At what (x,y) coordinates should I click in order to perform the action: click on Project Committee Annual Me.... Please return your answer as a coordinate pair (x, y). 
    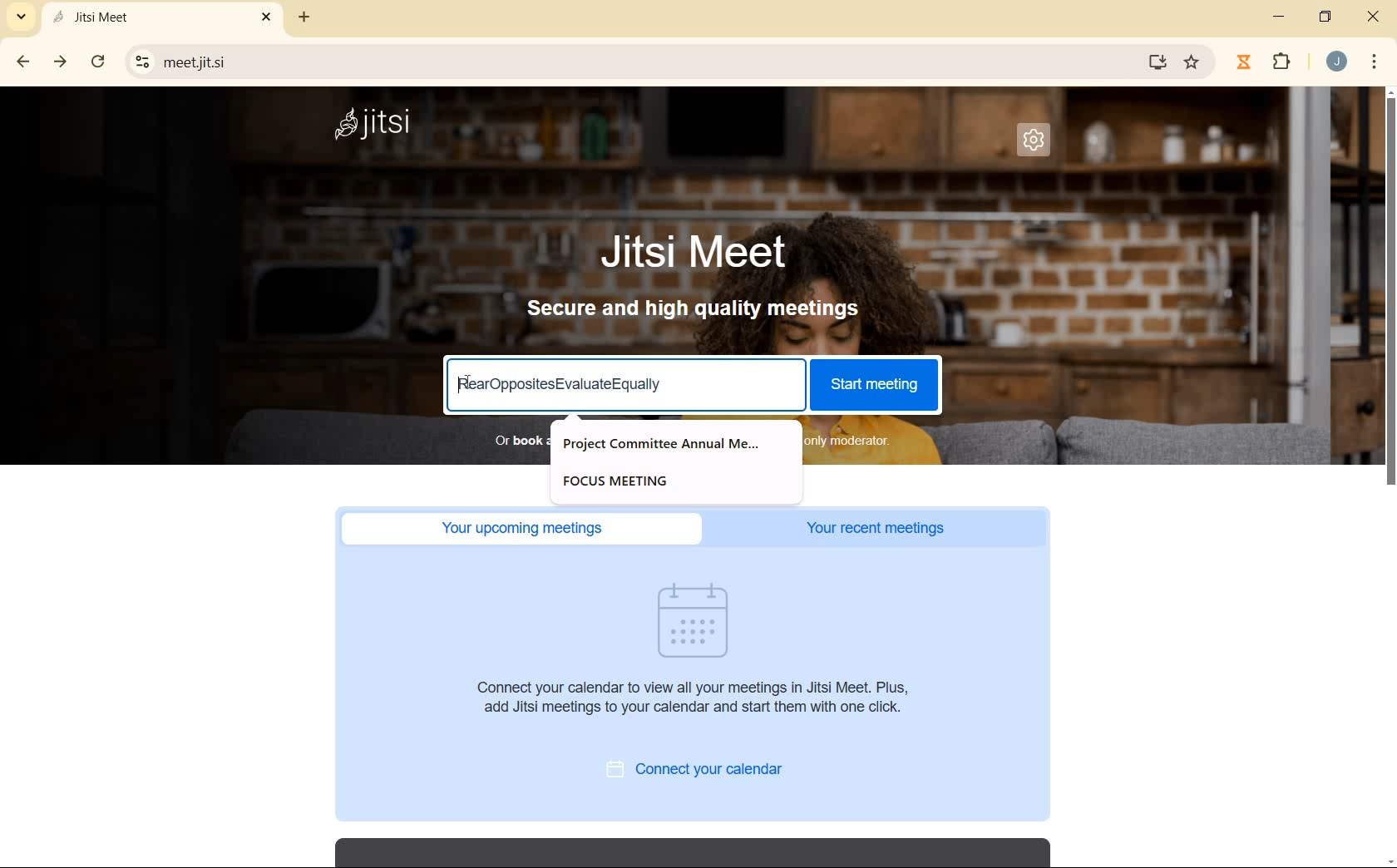
    Looking at the image, I should click on (662, 445).